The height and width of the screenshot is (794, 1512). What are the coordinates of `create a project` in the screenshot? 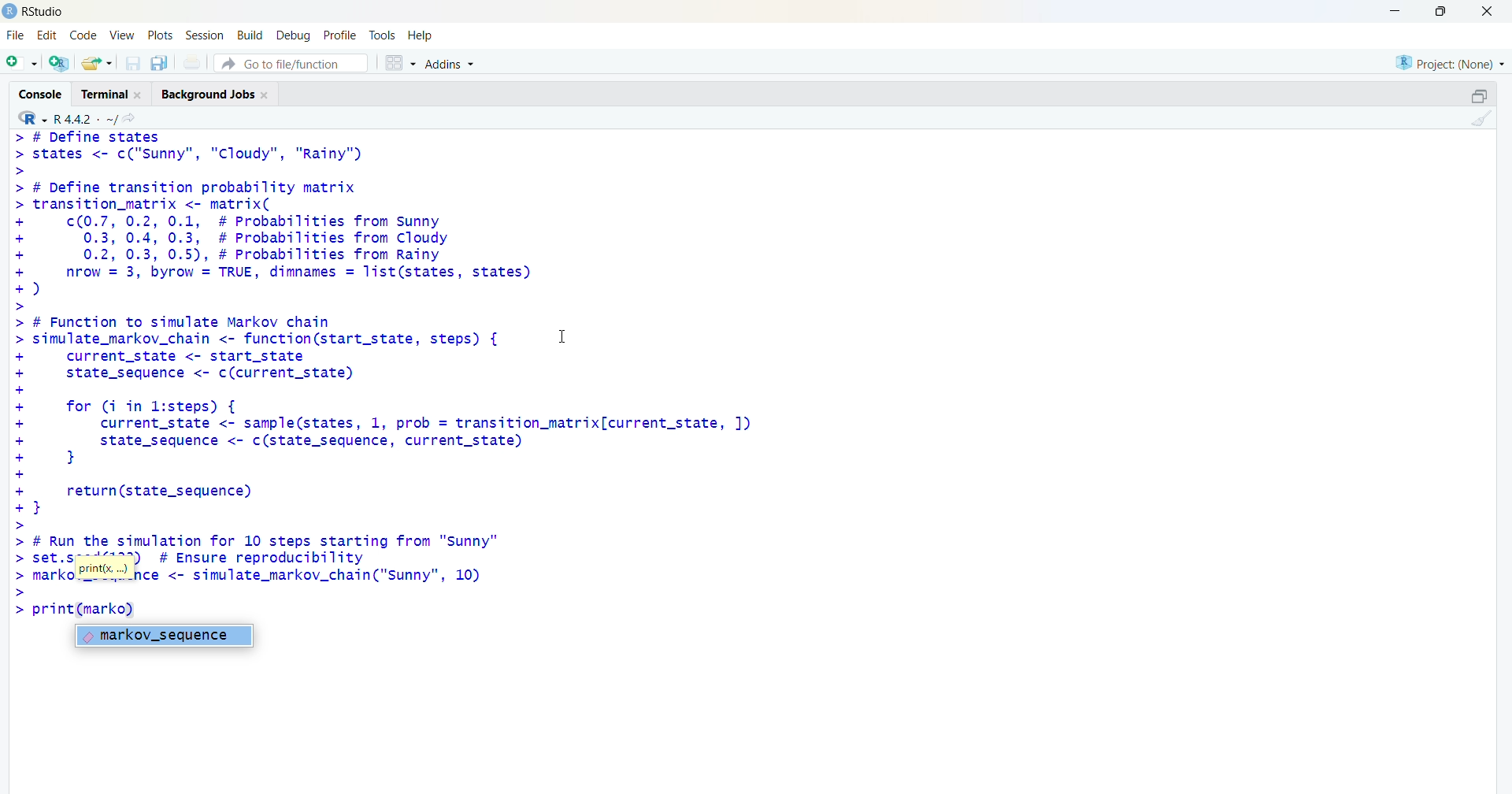 It's located at (57, 64).